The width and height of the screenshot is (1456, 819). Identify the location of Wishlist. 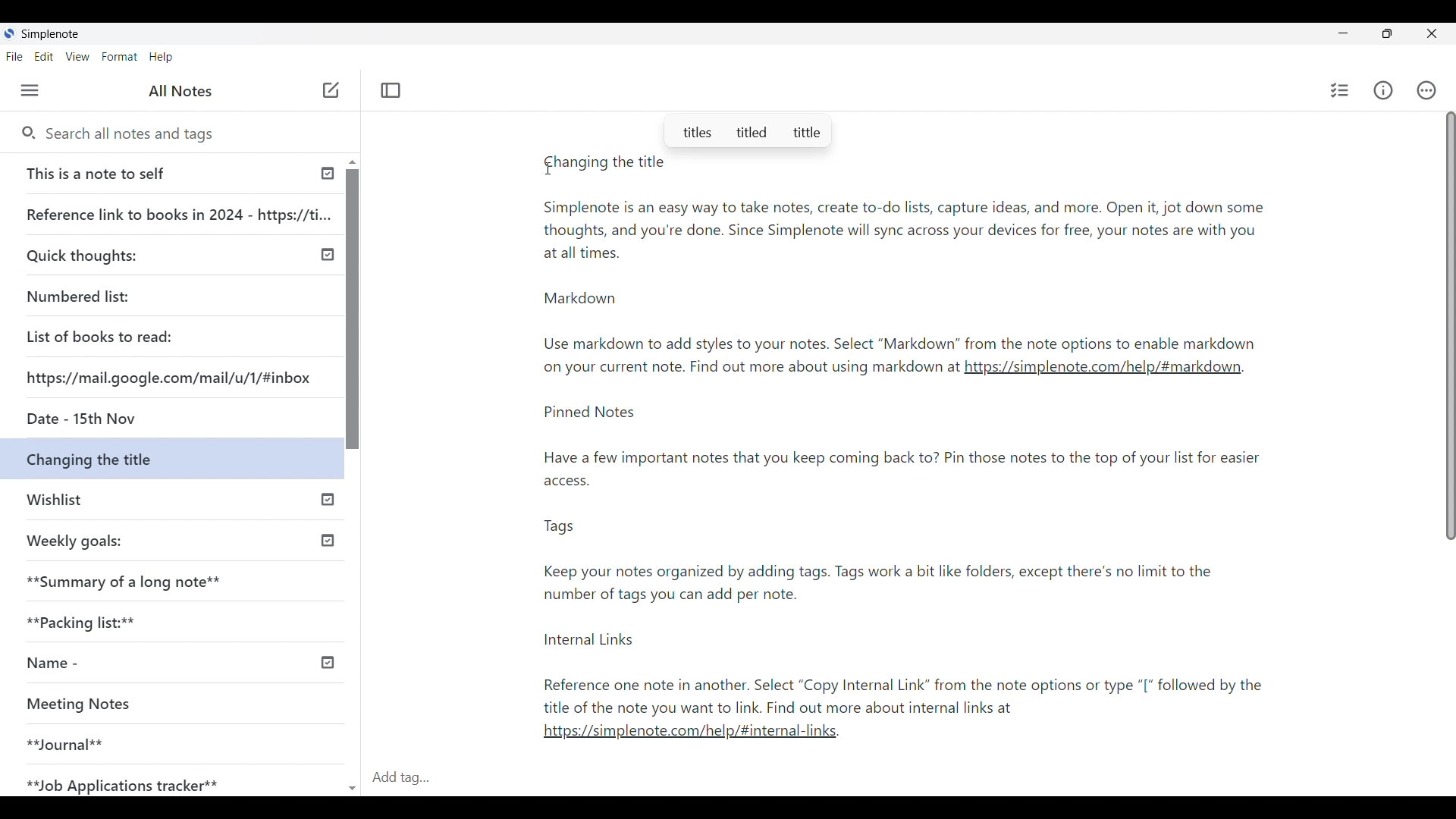
(54, 497).